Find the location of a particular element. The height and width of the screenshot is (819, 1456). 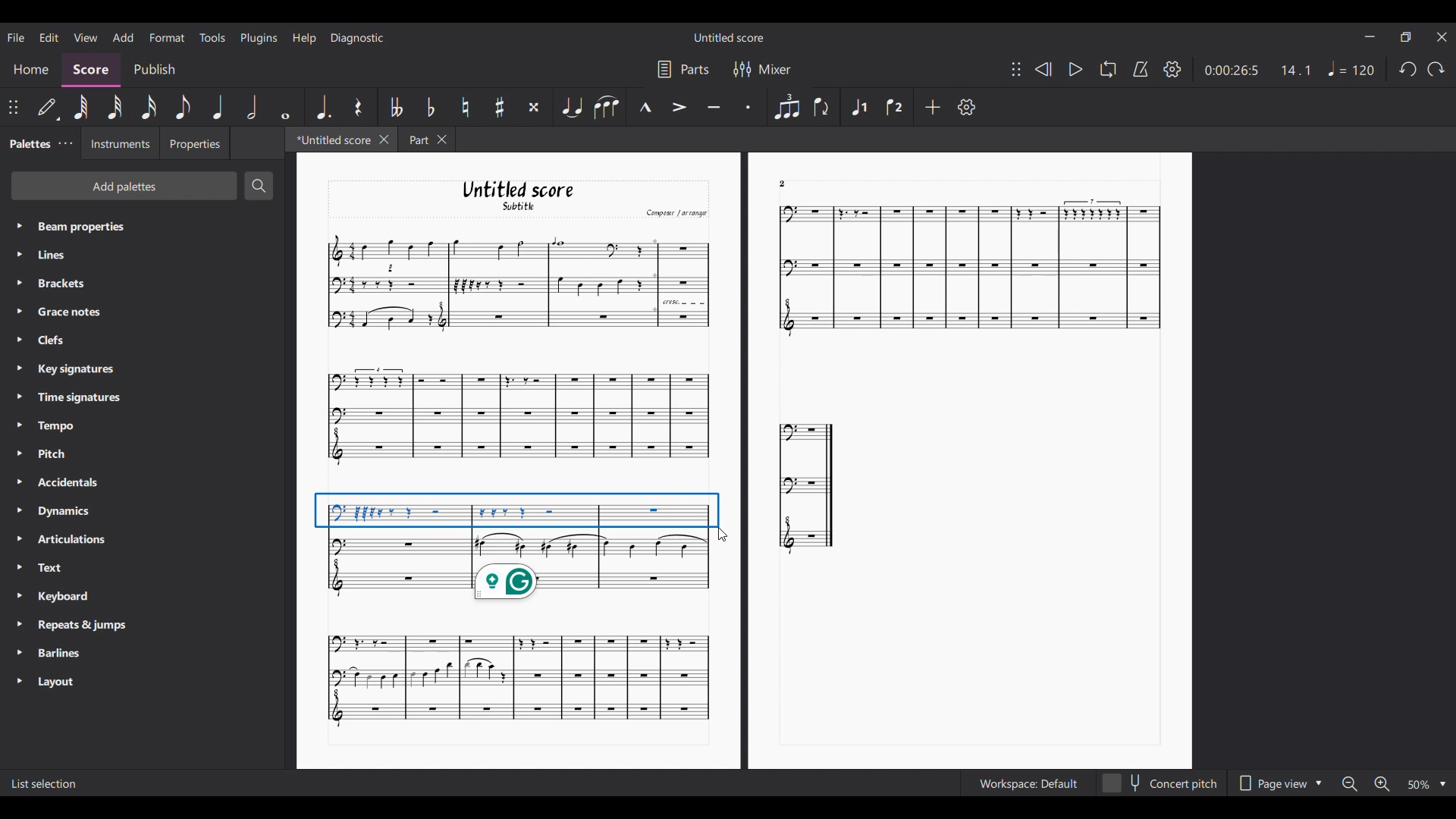

Toggle sharp is located at coordinates (500, 107).